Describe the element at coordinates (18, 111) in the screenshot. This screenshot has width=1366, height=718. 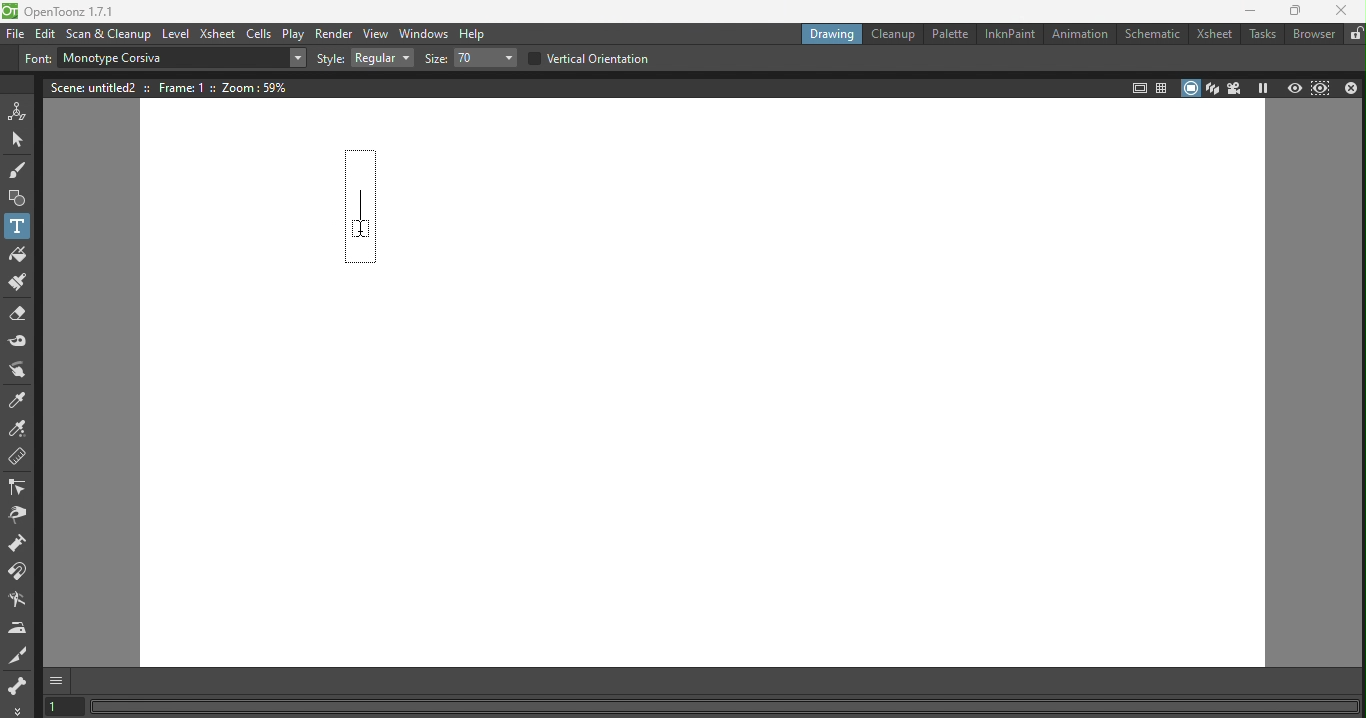
I see `Animate tool` at that location.